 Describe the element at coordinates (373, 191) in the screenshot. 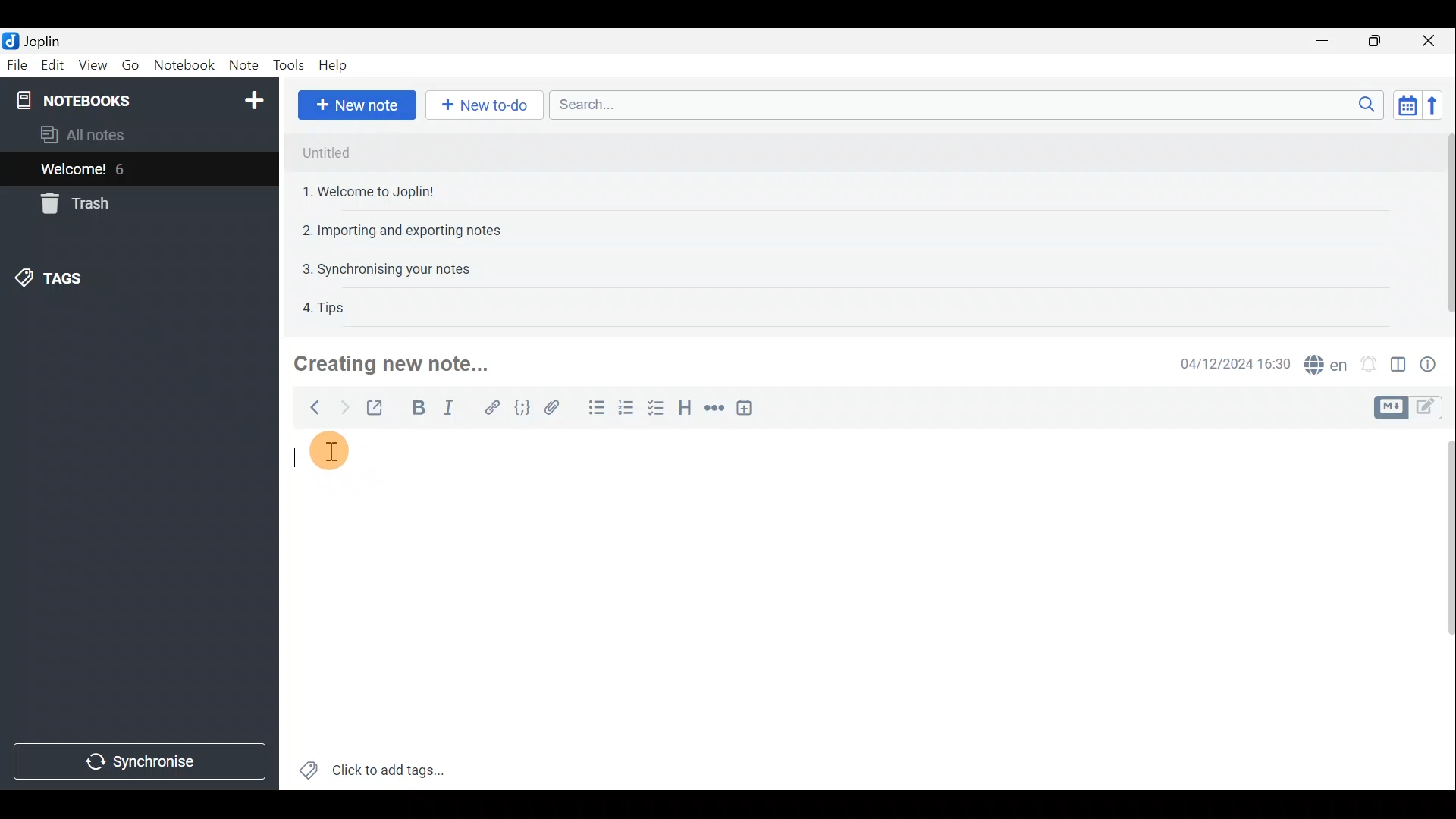

I see `1. Welcome to Joplin!` at that location.